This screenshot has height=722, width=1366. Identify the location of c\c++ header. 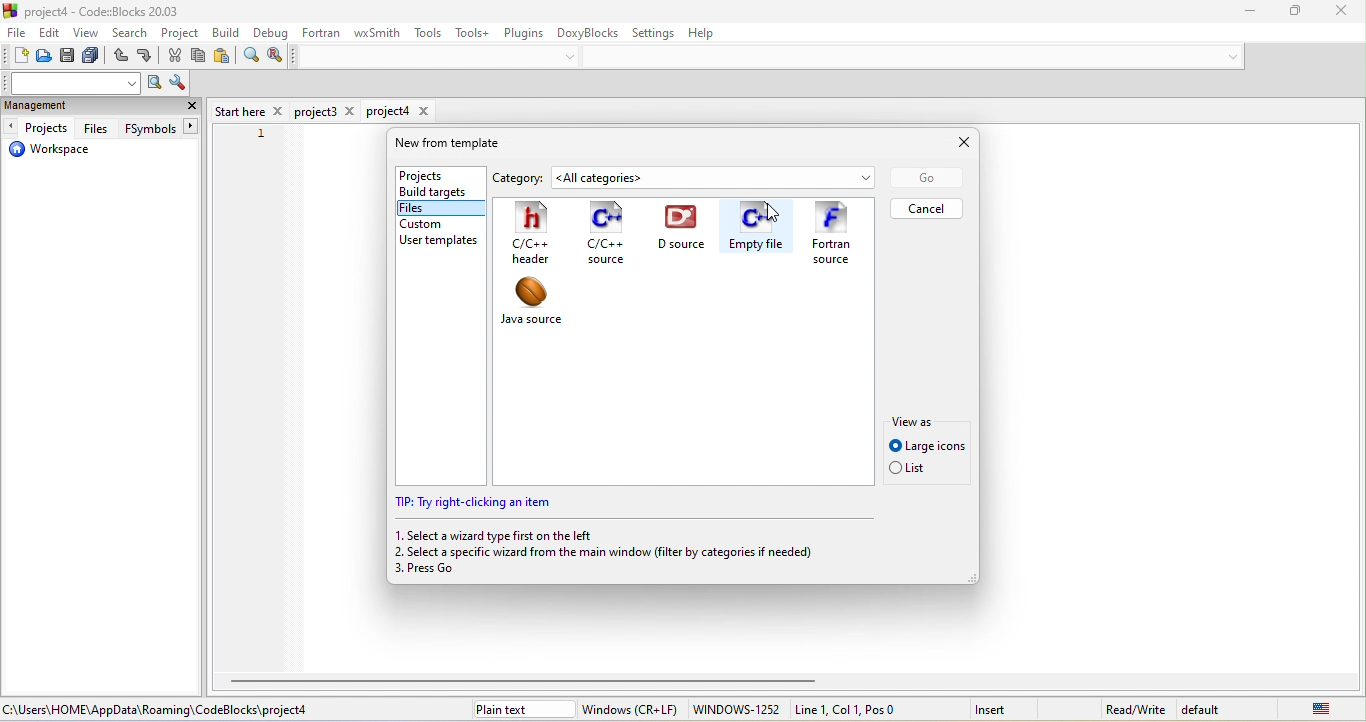
(537, 234).